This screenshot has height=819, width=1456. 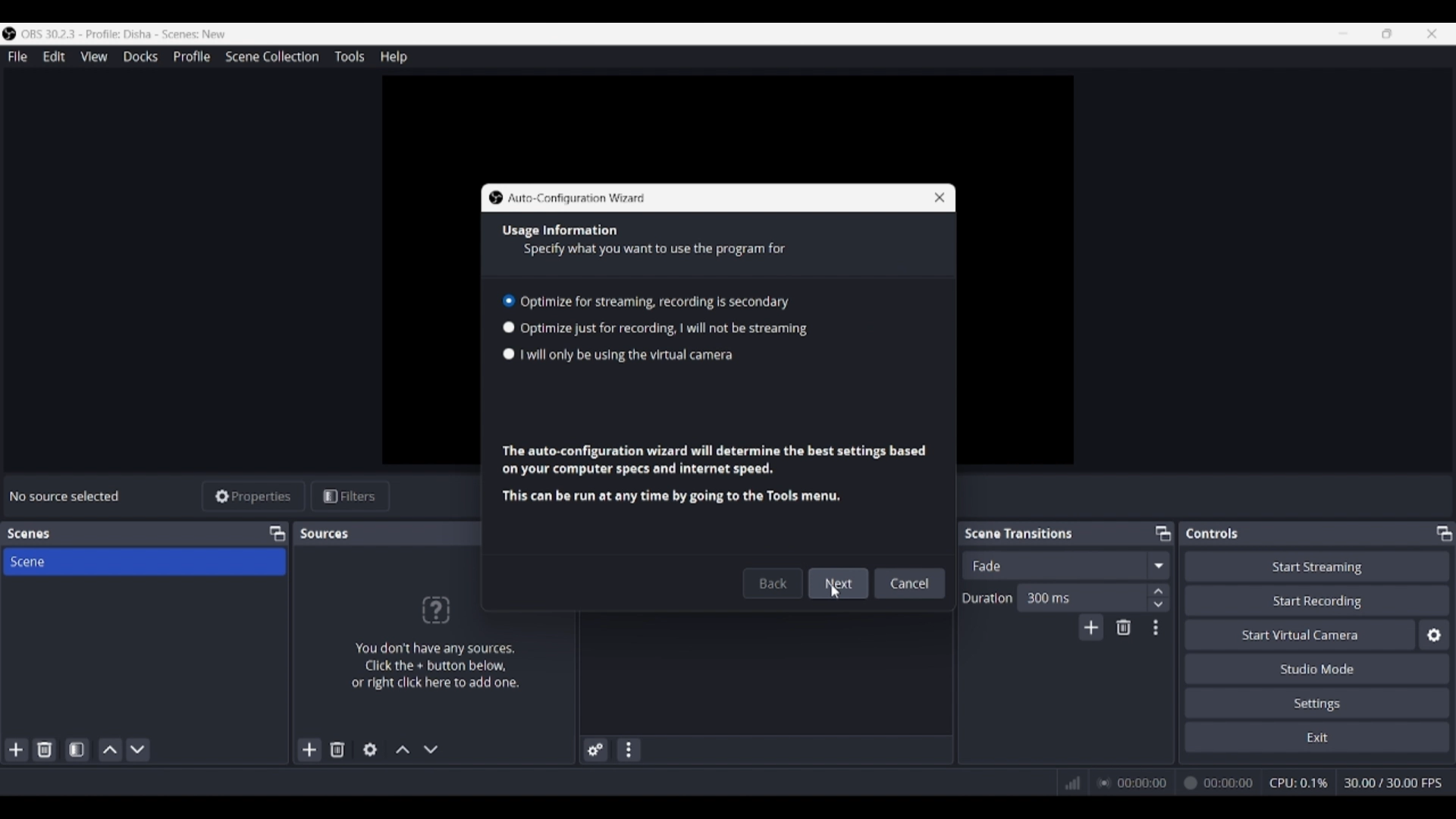 What do you see at coordinates (1053, 565) in the screenshot?
I see `Current fade` at bounding box center [1053, 565].